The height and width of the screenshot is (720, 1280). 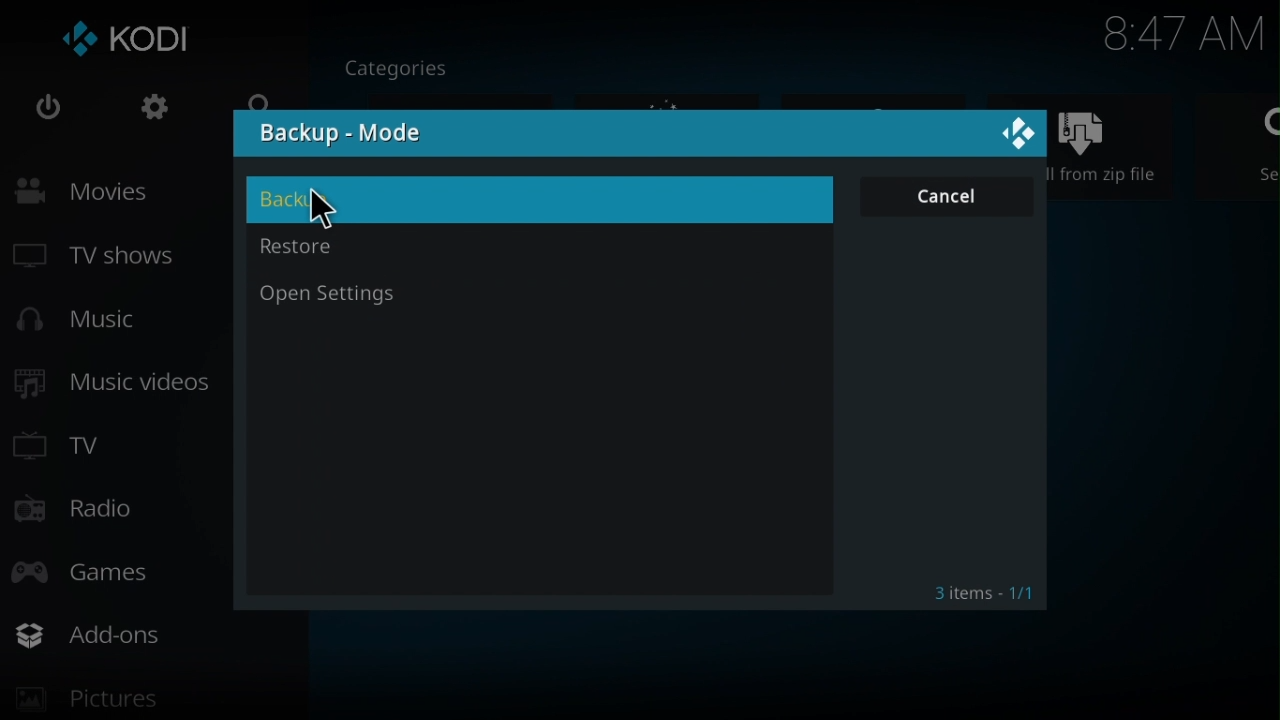 What do you see at coordinates (1183, 36) in the screenshot?
I see `Time` at bounding box center [1183, 36].